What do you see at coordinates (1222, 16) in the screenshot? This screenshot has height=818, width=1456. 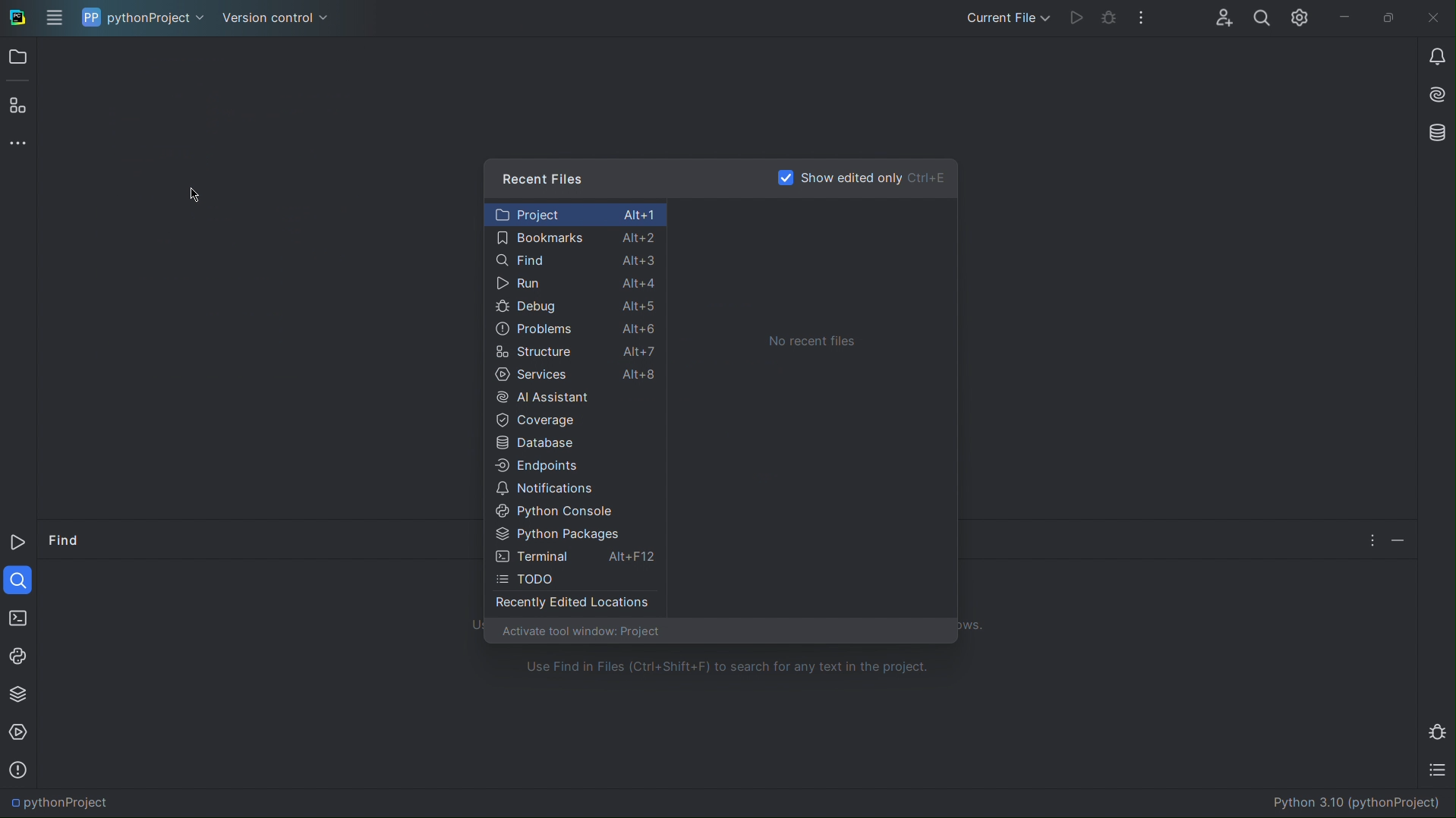 I see `Account` at bounding box center [1222, 16].